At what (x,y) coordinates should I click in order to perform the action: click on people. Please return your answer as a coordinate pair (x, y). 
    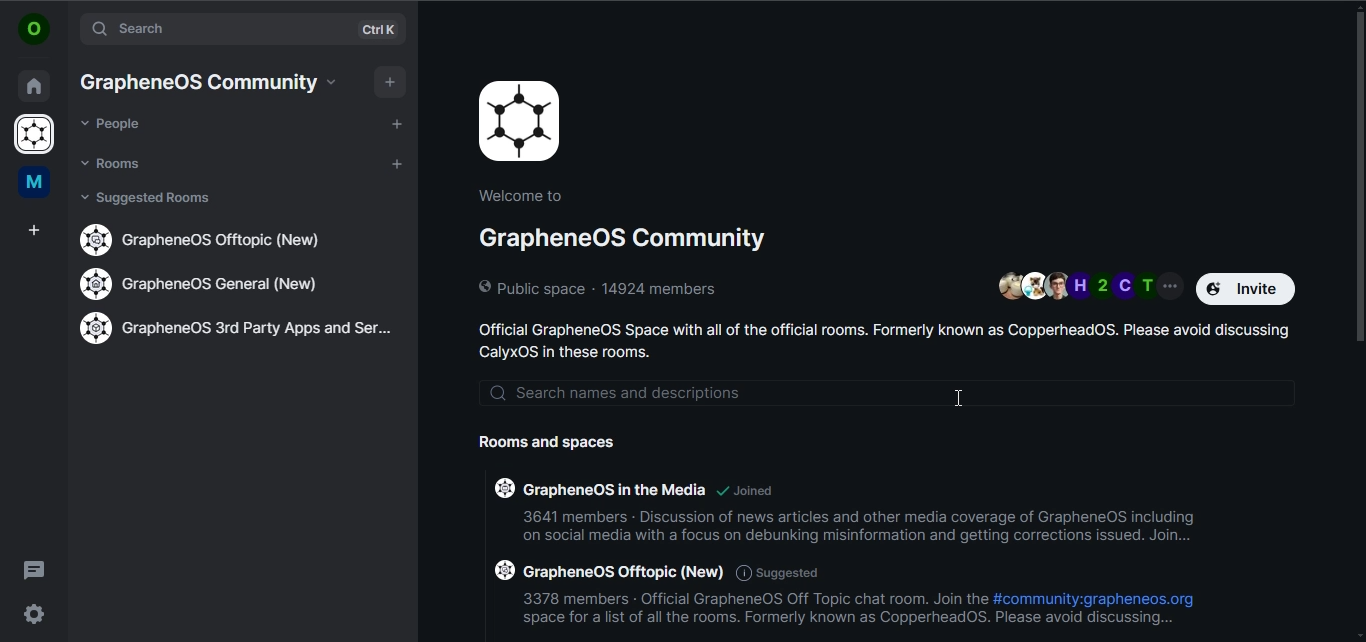
    Looking at the image, I should click on (113, 124).